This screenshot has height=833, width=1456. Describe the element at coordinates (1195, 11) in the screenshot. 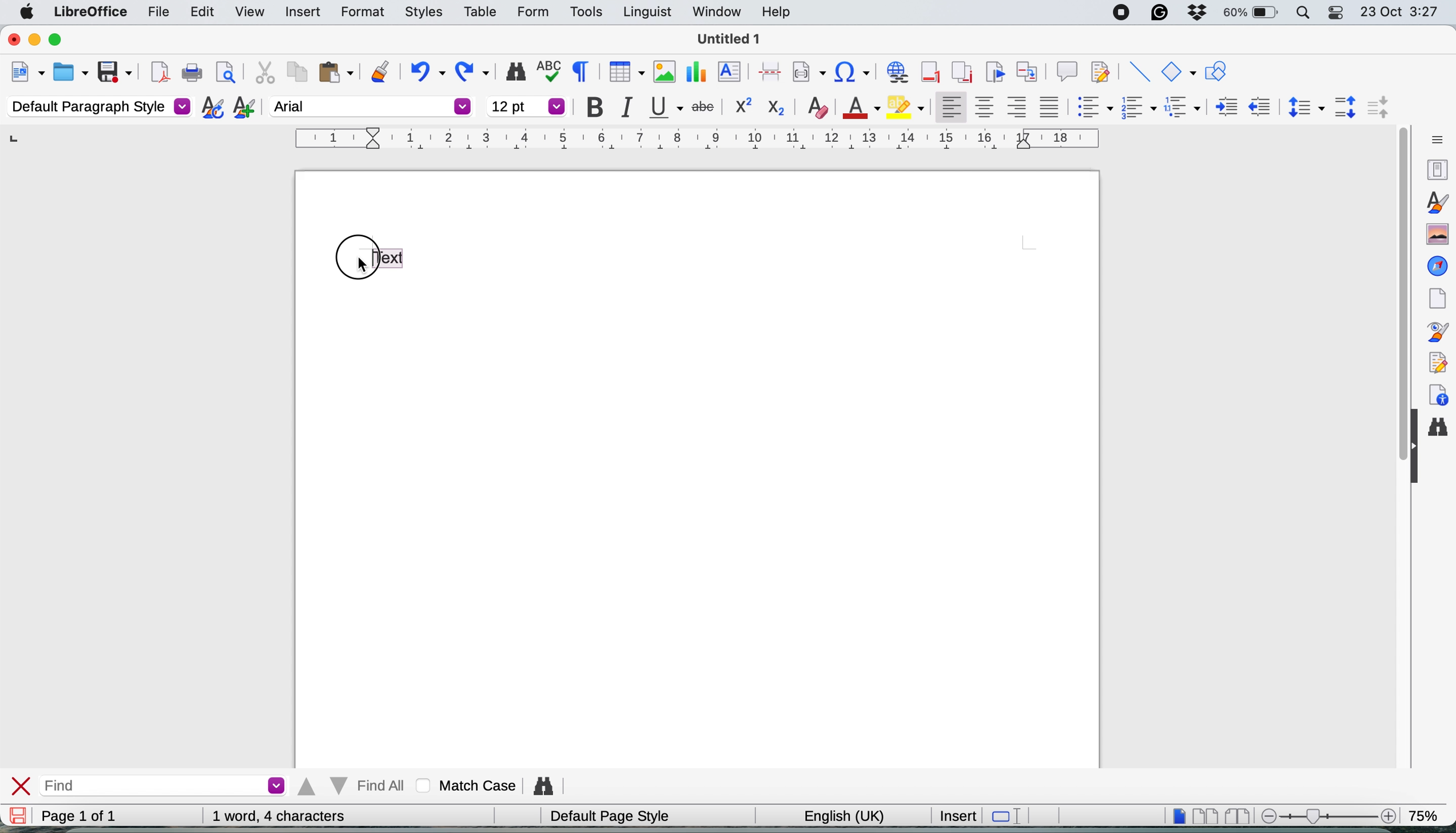

I see `dropbox` at that location.